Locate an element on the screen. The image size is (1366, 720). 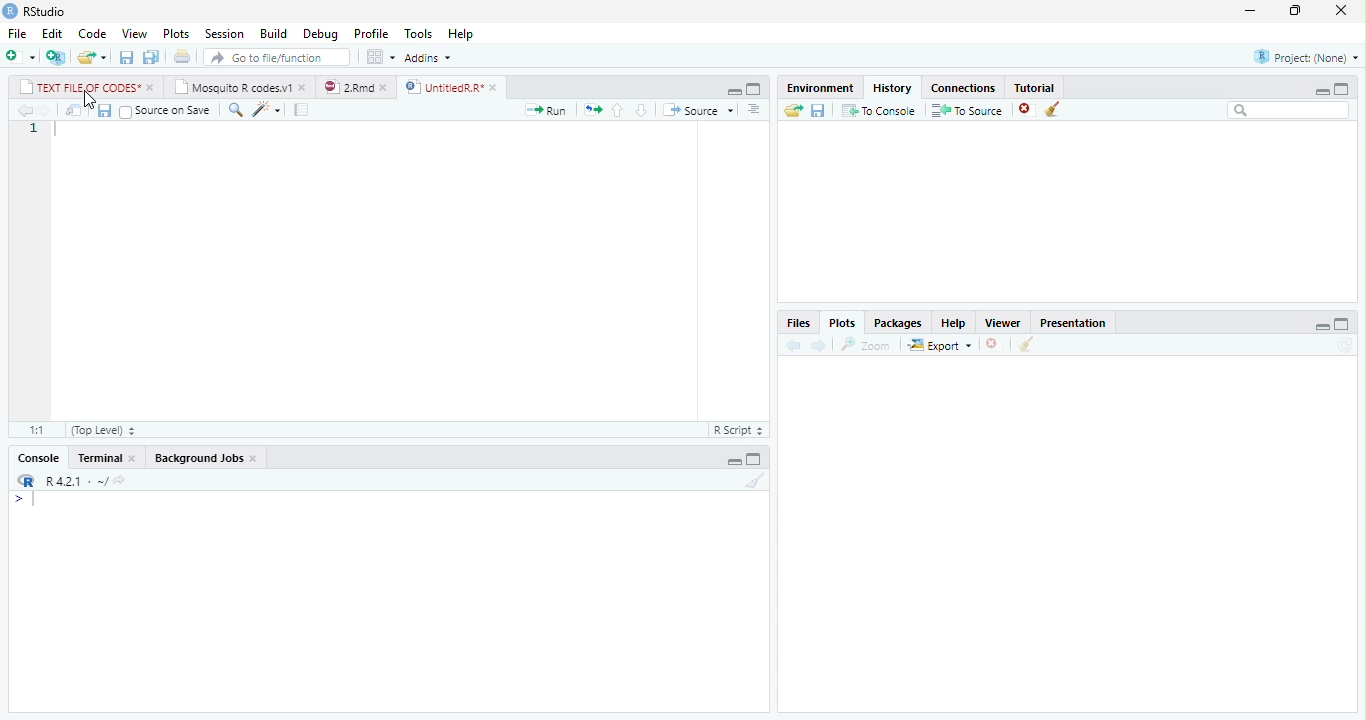
forward is located at coordinates (46, 111).